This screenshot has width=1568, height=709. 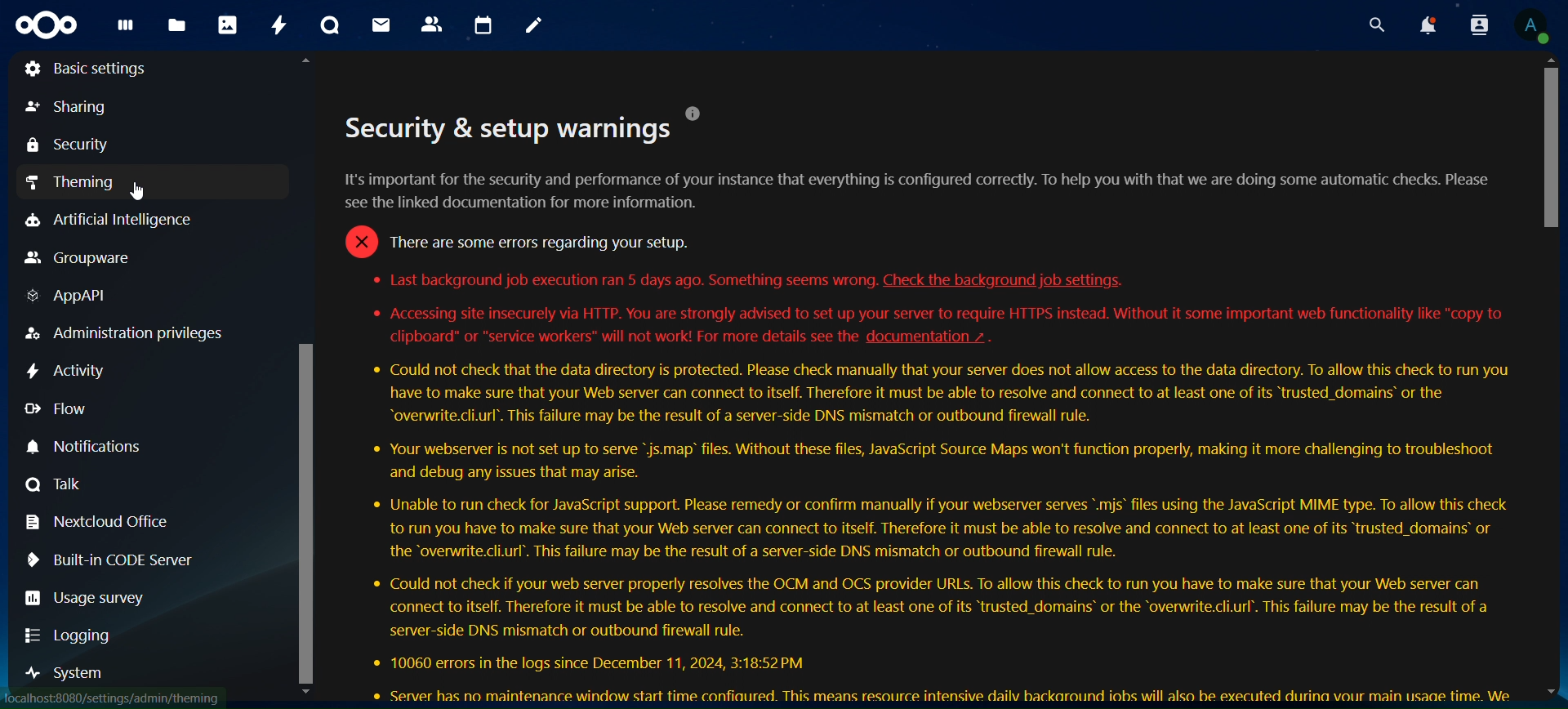 What do you see at coordinates (58, 486) in the screenshot?
I see `talk` at bounding box center [58, 486].